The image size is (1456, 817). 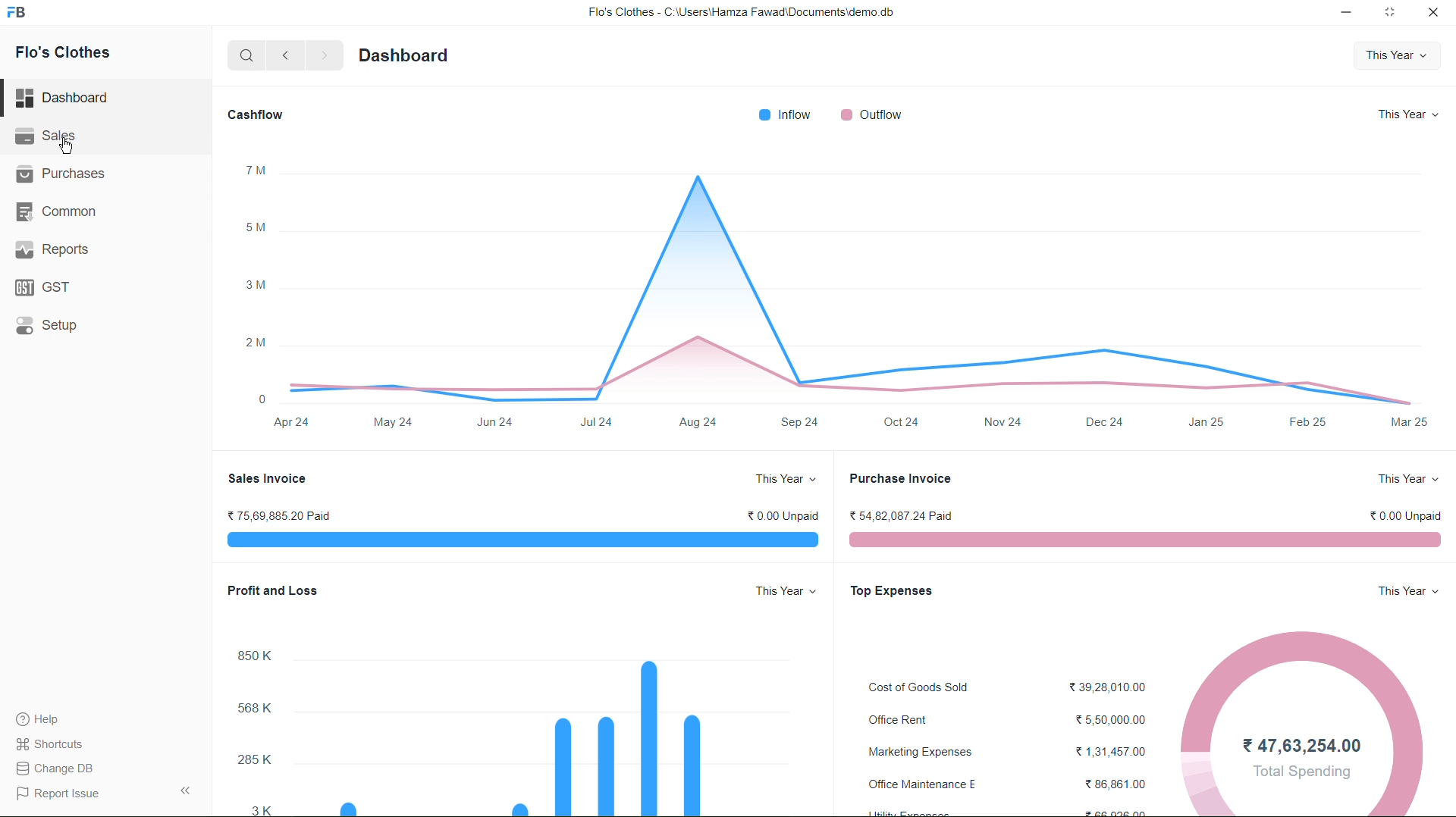 I want to click on Shortcuts, so click(x=59, y=743).